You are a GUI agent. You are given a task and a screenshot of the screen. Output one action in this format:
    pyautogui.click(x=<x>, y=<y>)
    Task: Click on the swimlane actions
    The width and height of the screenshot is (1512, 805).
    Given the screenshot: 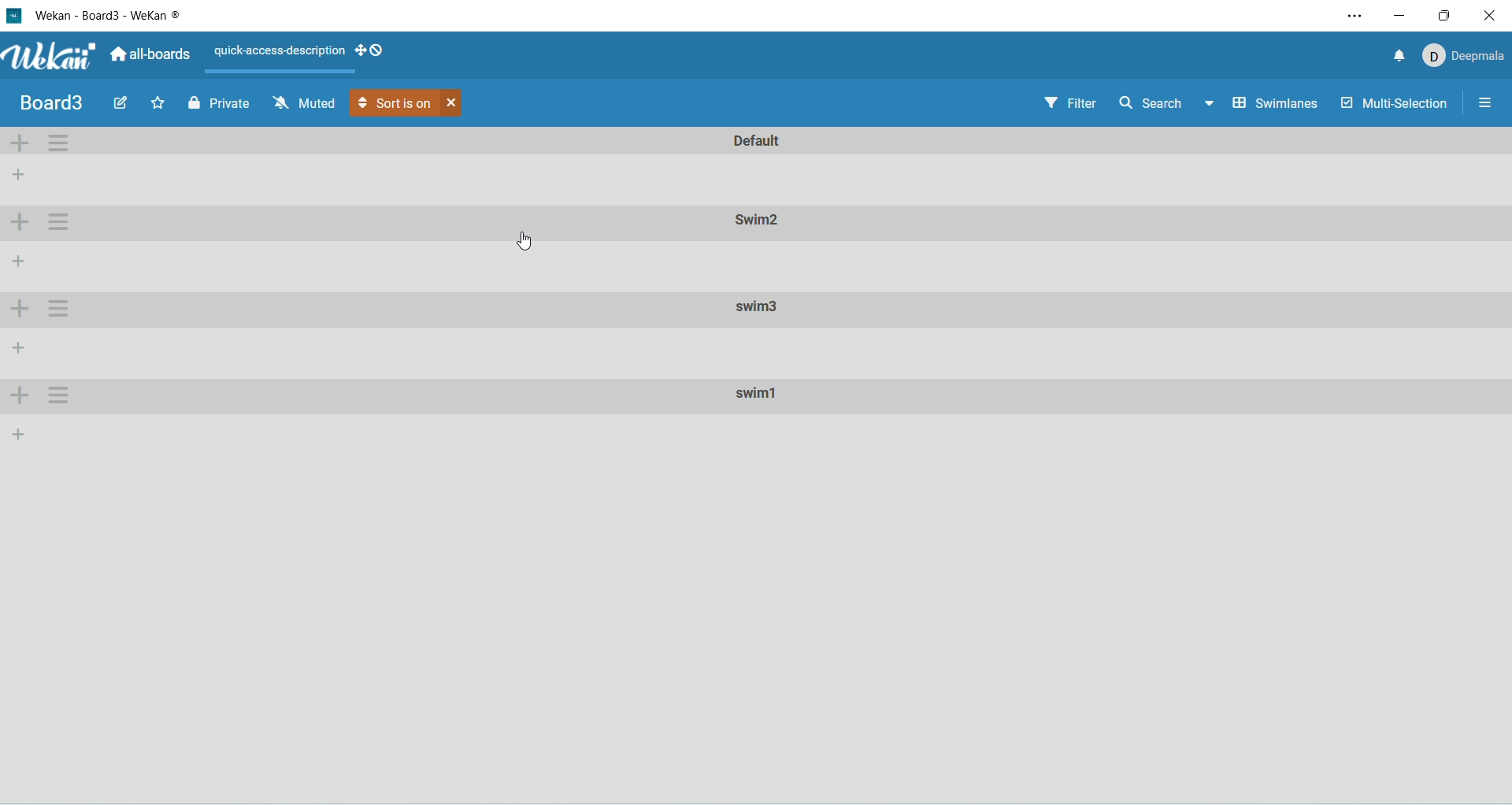 What is the action you would take?
    pyautogui.click(x=58, y=395)
    